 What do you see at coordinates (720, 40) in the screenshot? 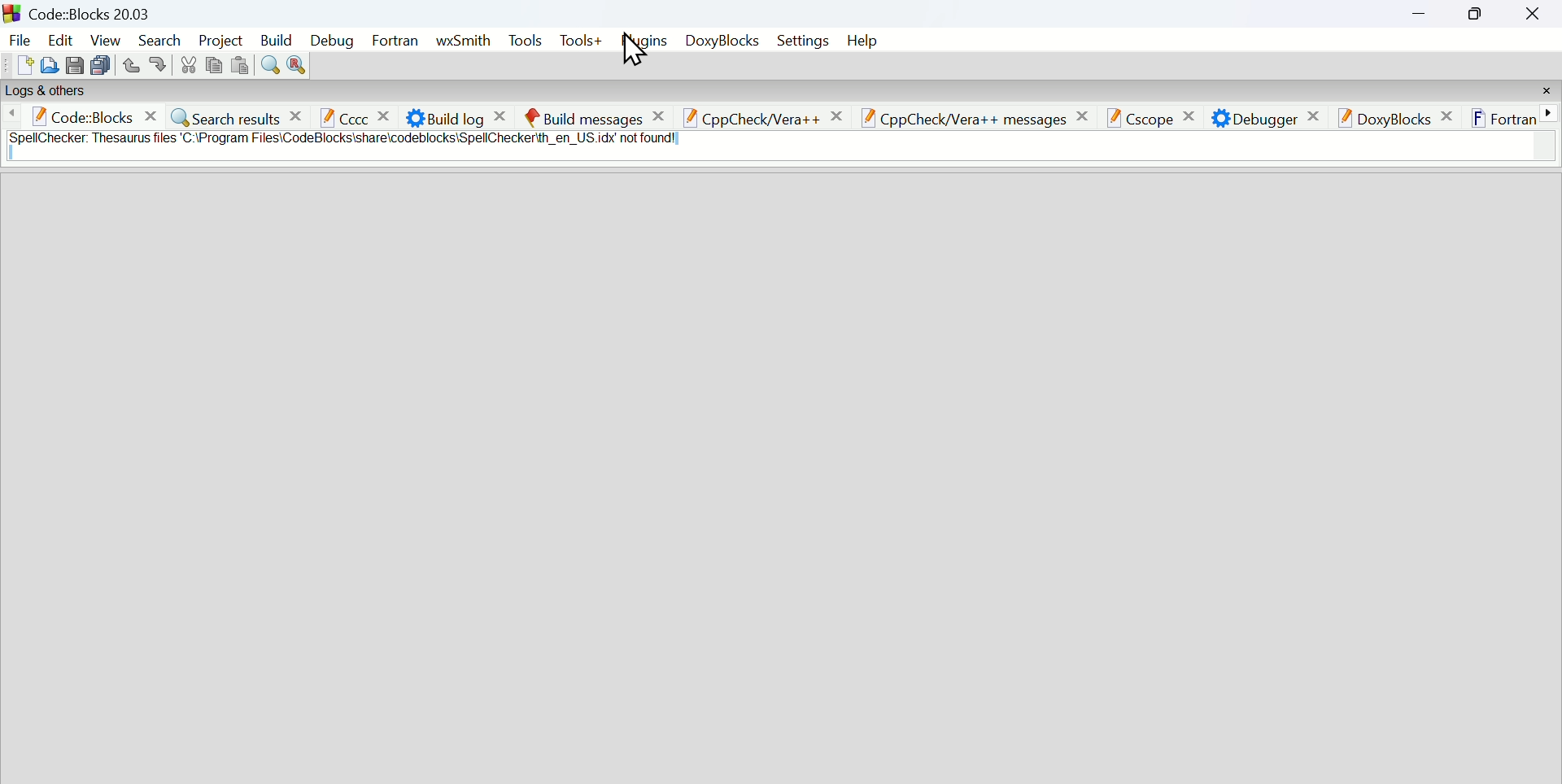
I see `Doxyblocks` at bounding box center [720, 40].